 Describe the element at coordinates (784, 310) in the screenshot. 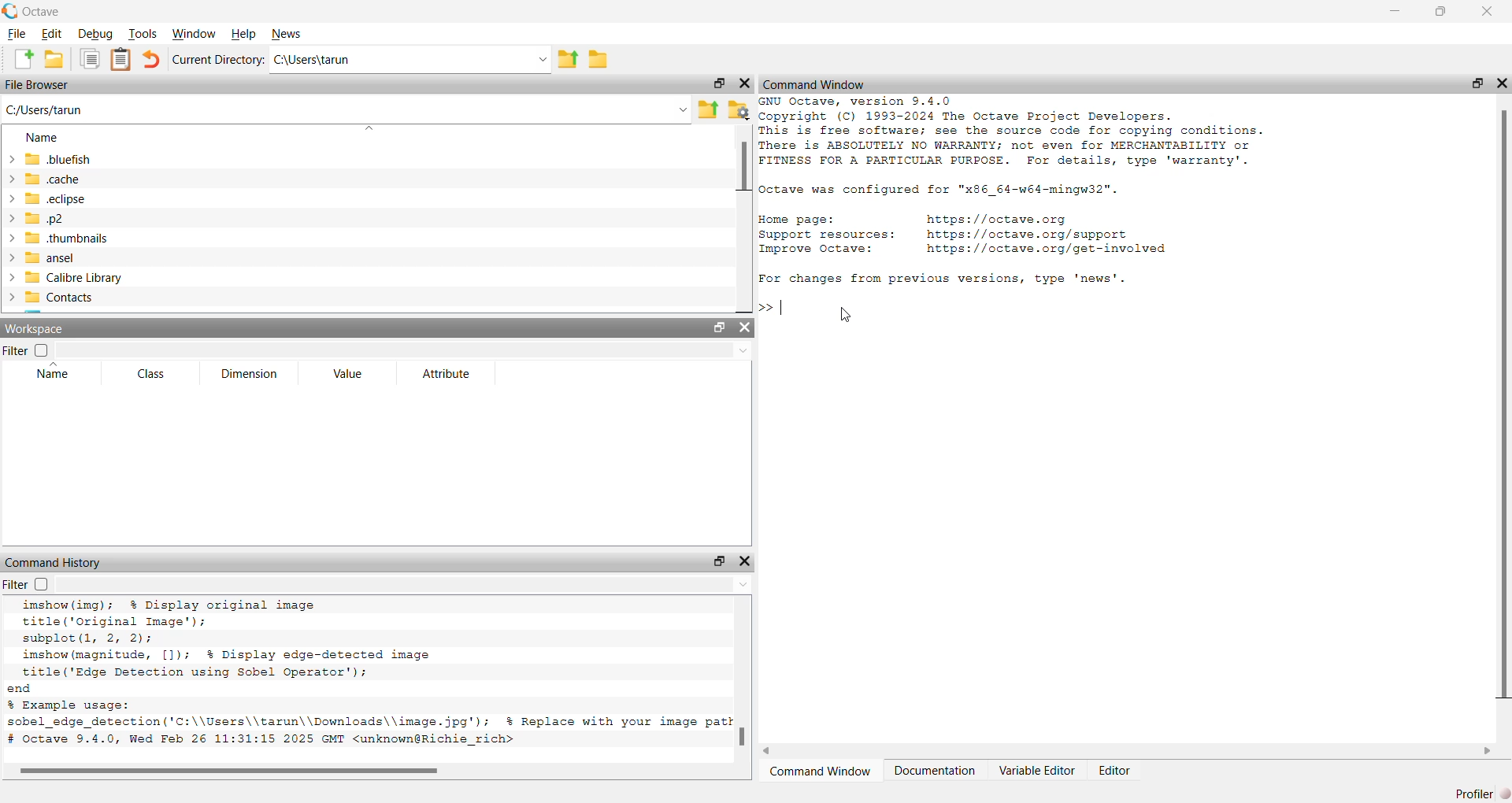

I see `typing cursor` at that location.